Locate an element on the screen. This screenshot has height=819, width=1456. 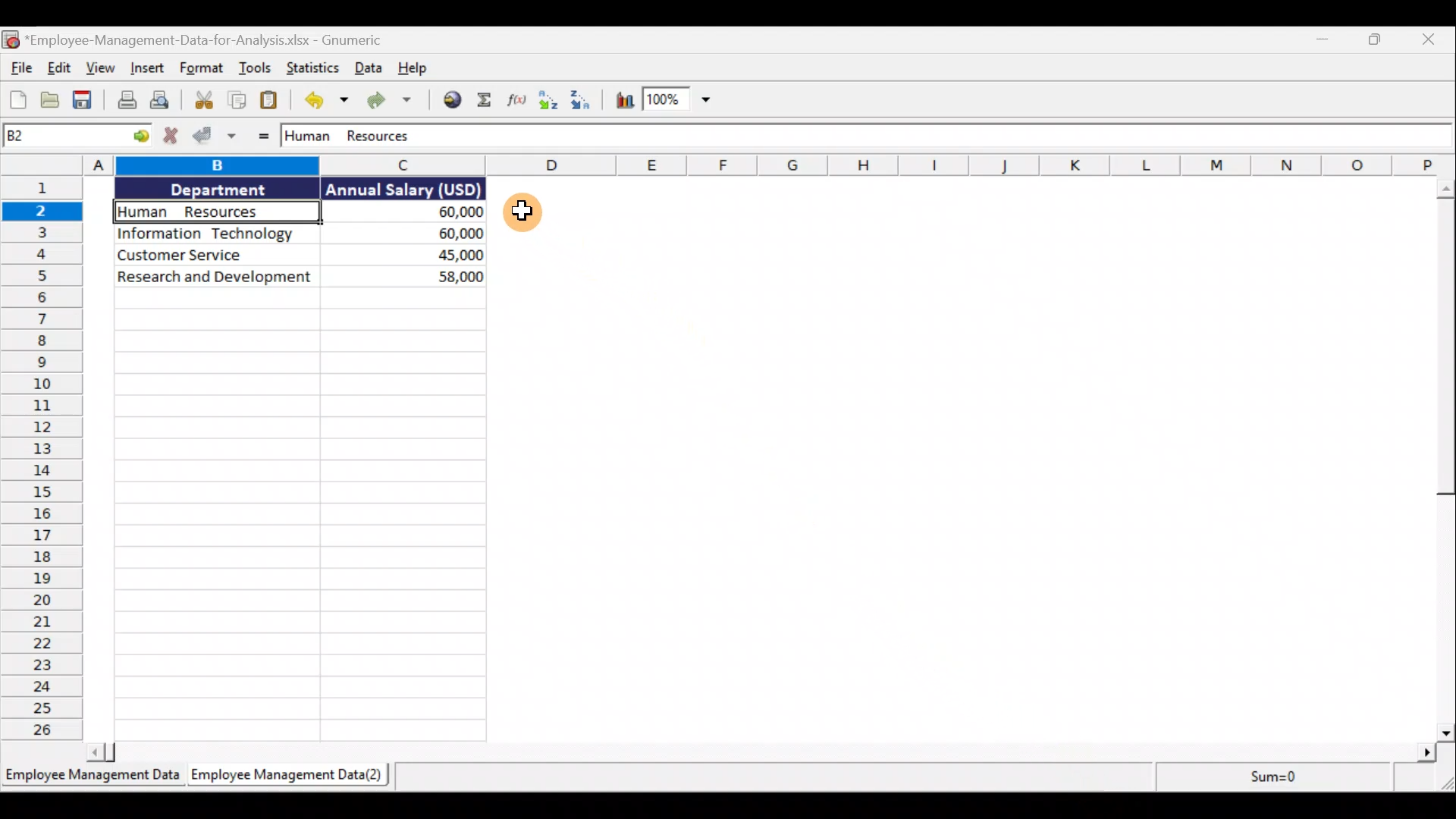
Sum into the current cell is located at coordinates (487, 101).